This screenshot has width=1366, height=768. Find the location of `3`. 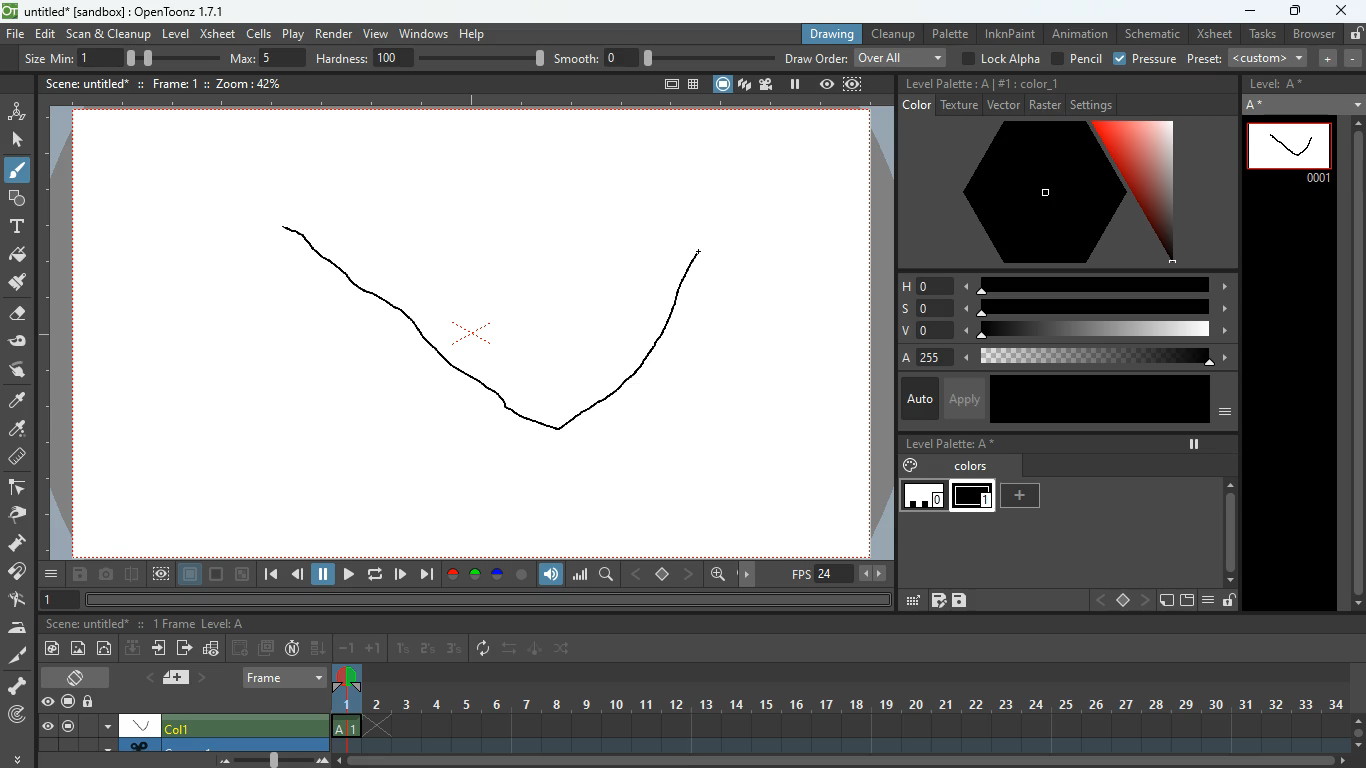

3 is located at coordinates (453, 649).